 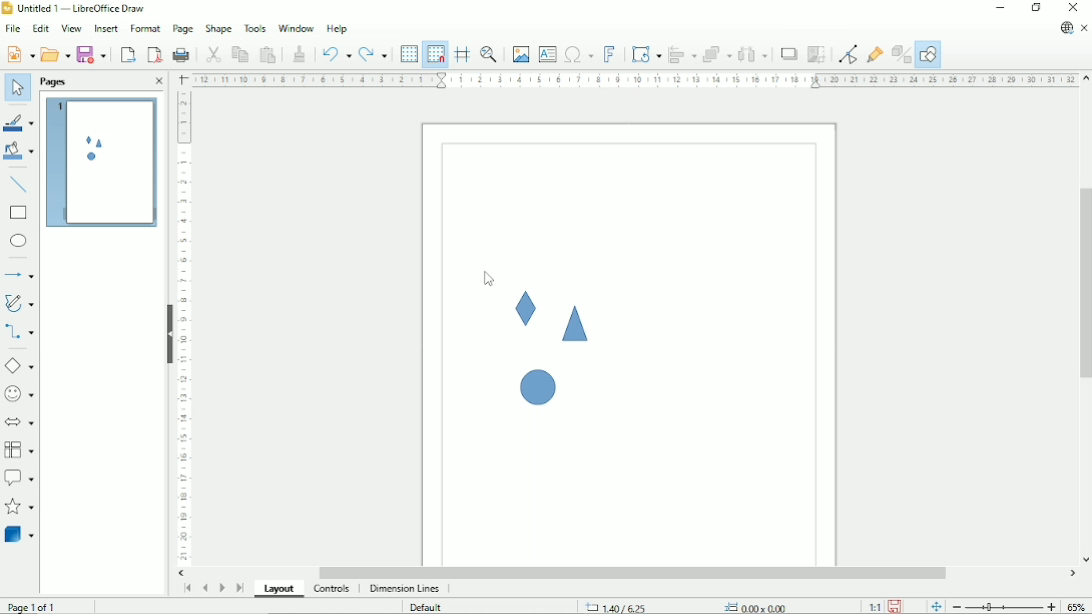 What do you see at coordinates (526, 309) in the screenshot?
I see `Shape` at bounding box center [526, 309].